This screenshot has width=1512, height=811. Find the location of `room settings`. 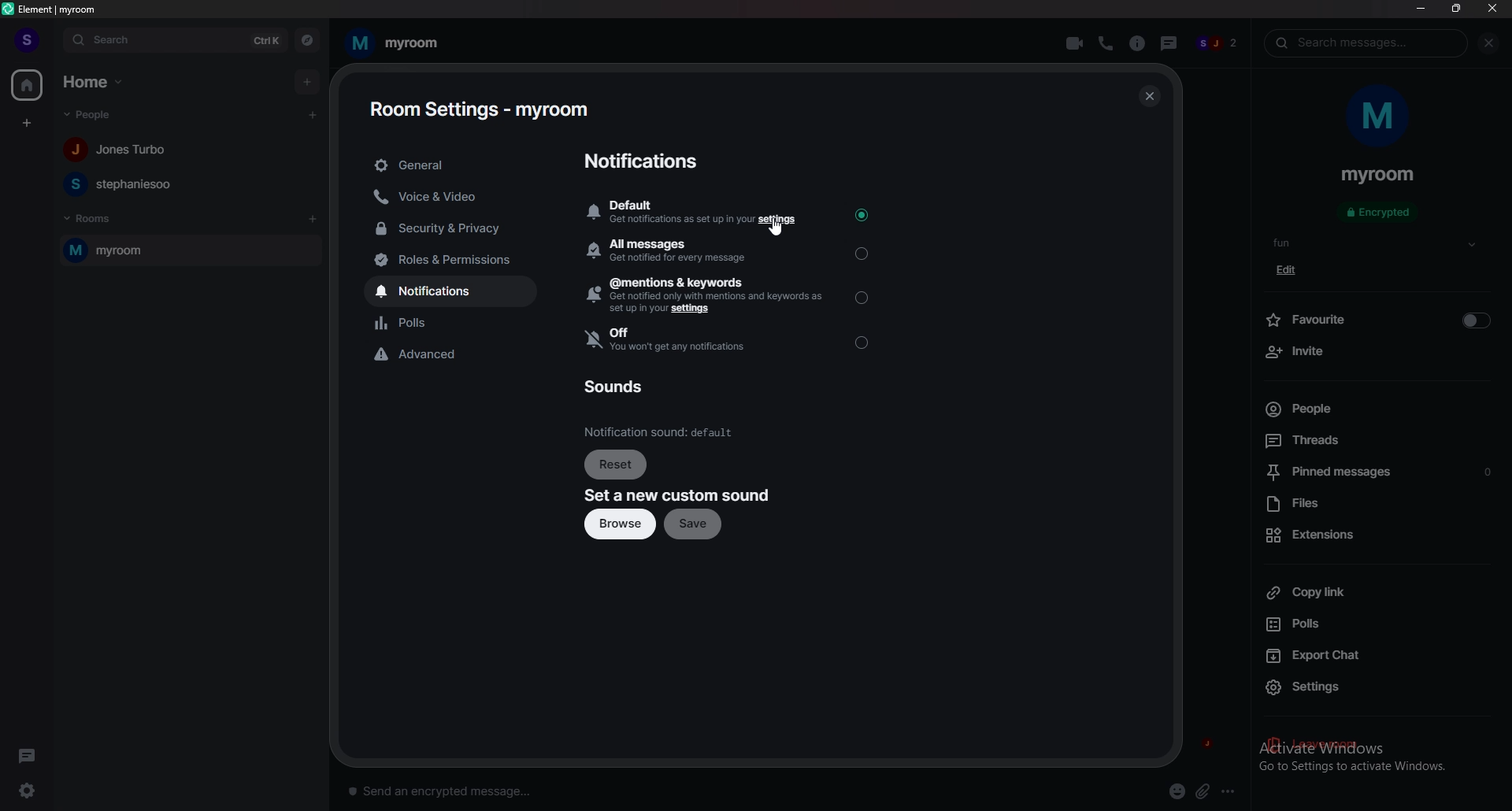

room settings is located at coordinates (479, 109).